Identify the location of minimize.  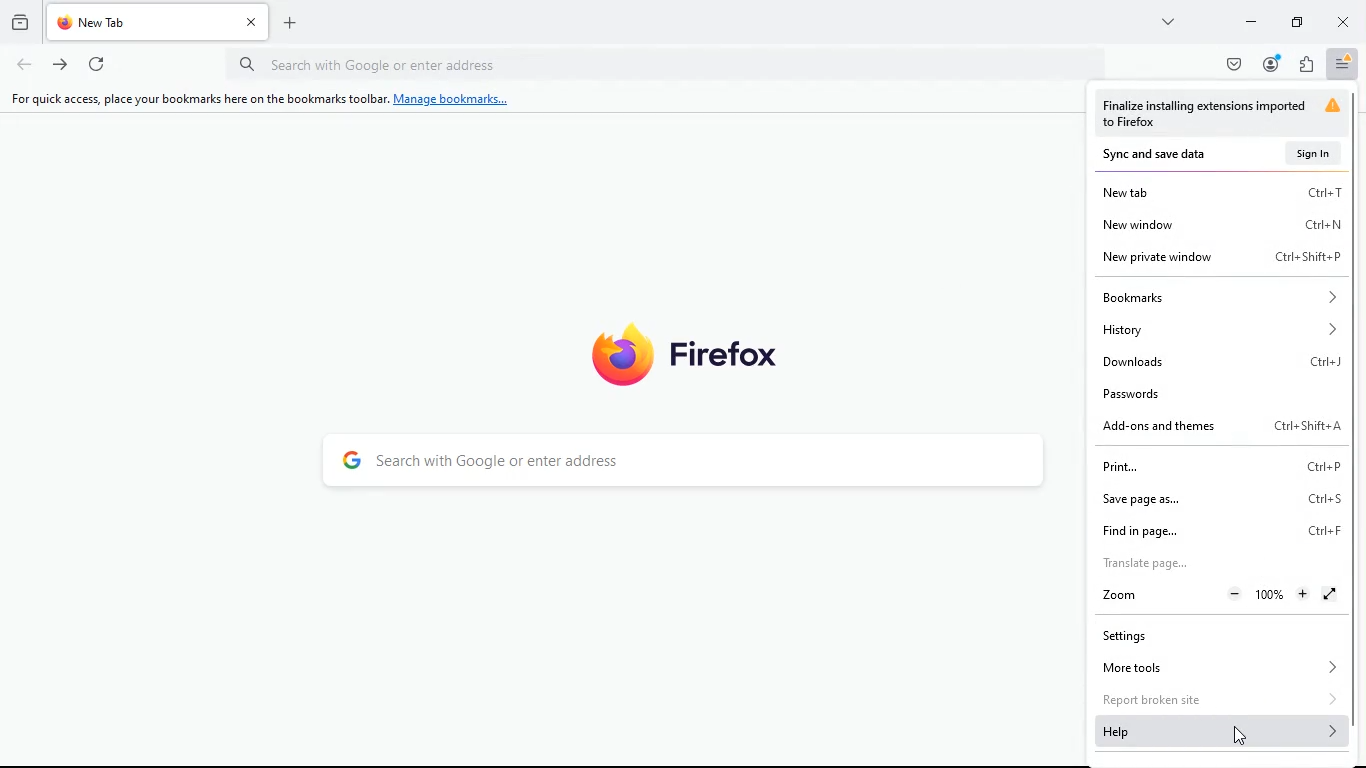
(1249, 24).